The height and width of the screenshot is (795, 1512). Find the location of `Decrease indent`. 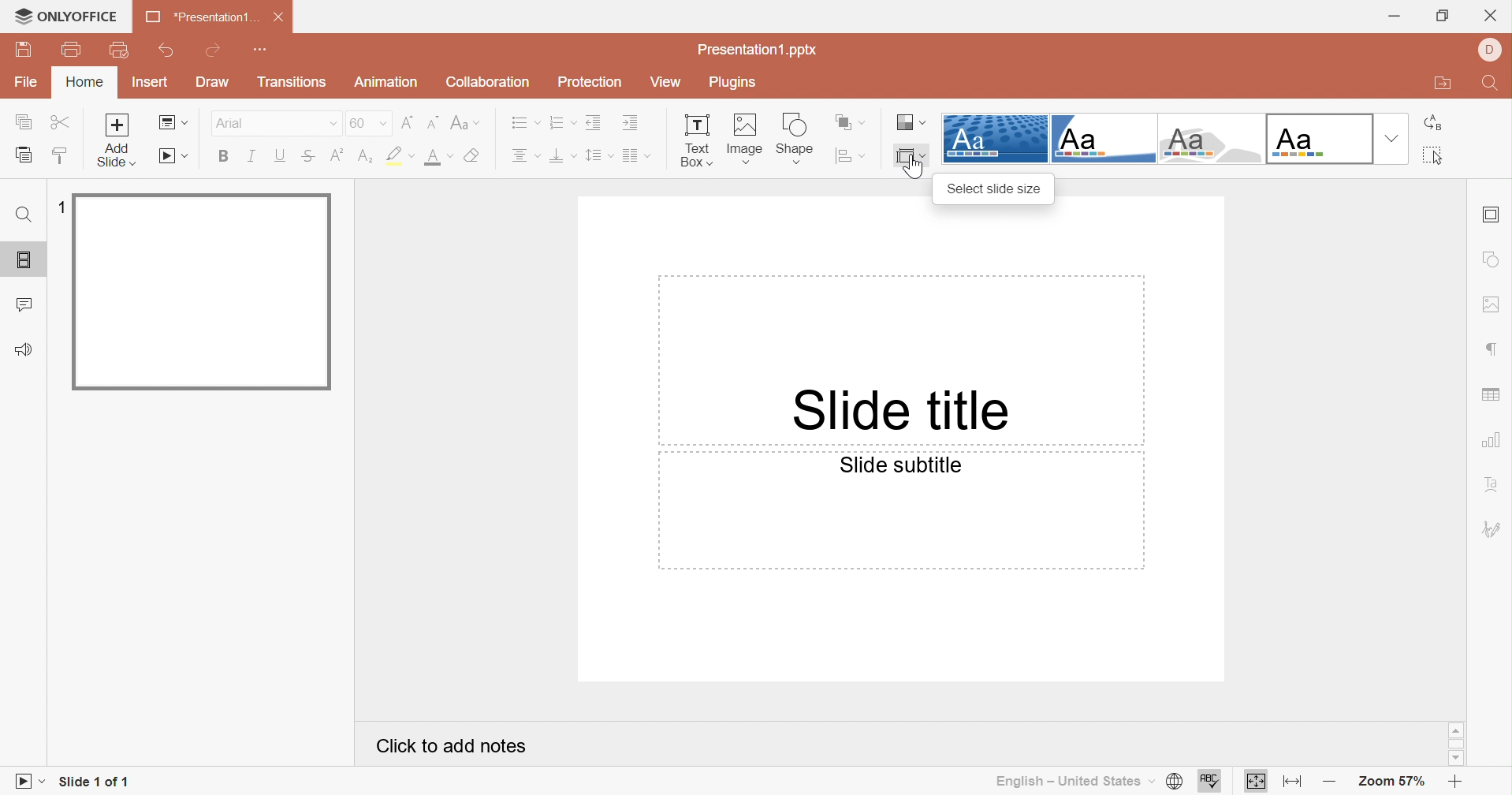

Decrease indent is located at coordinates (594, 123).